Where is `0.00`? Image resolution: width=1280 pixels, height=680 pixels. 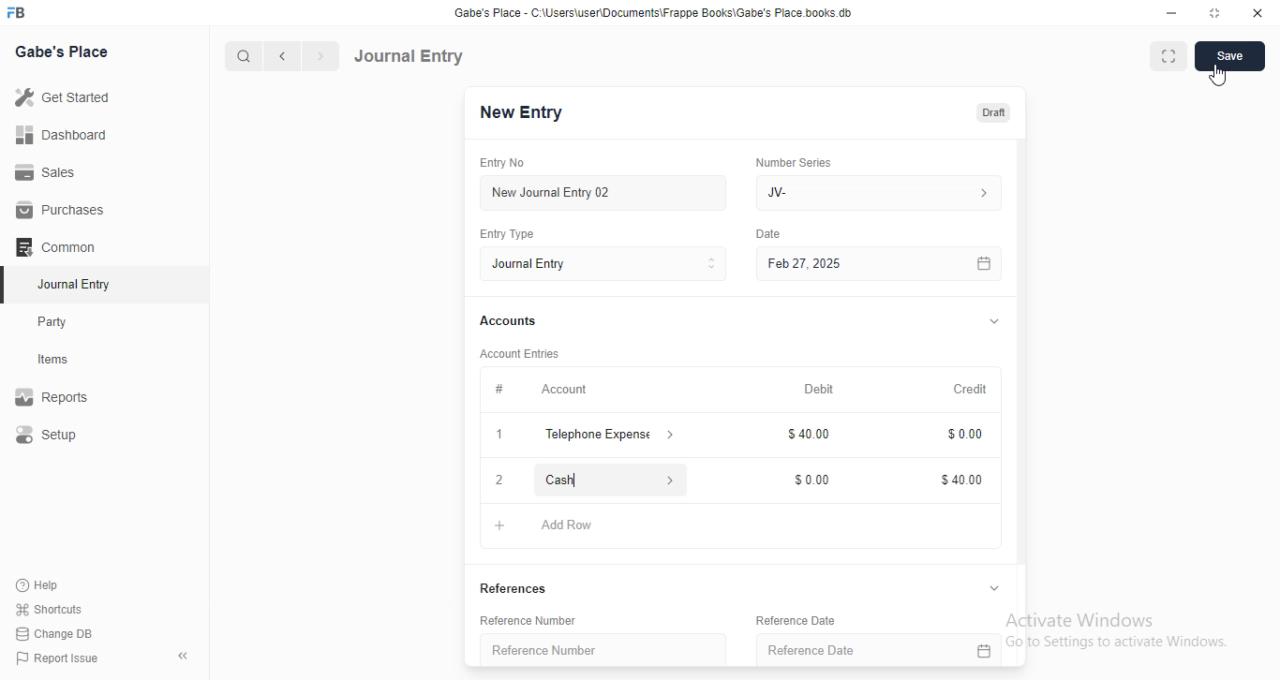 0.00 is located at coordinates (958, 436).